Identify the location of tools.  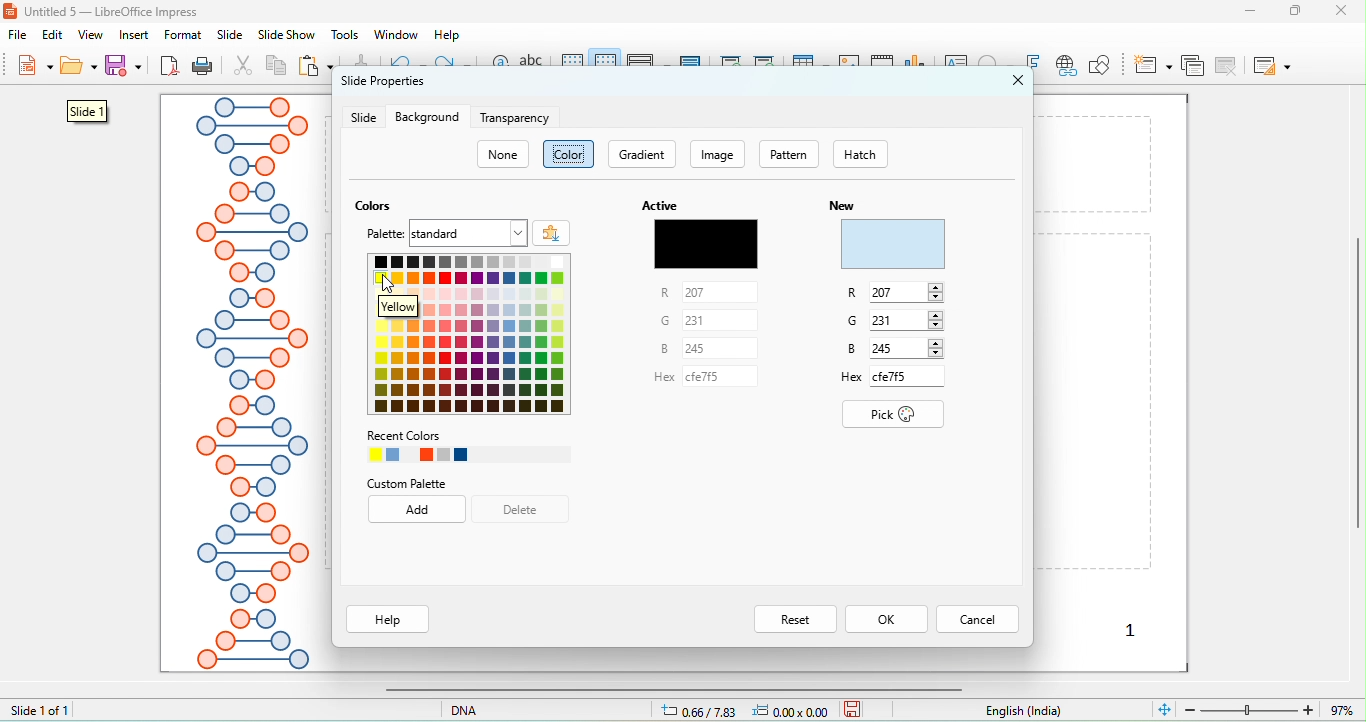
(346, 35).